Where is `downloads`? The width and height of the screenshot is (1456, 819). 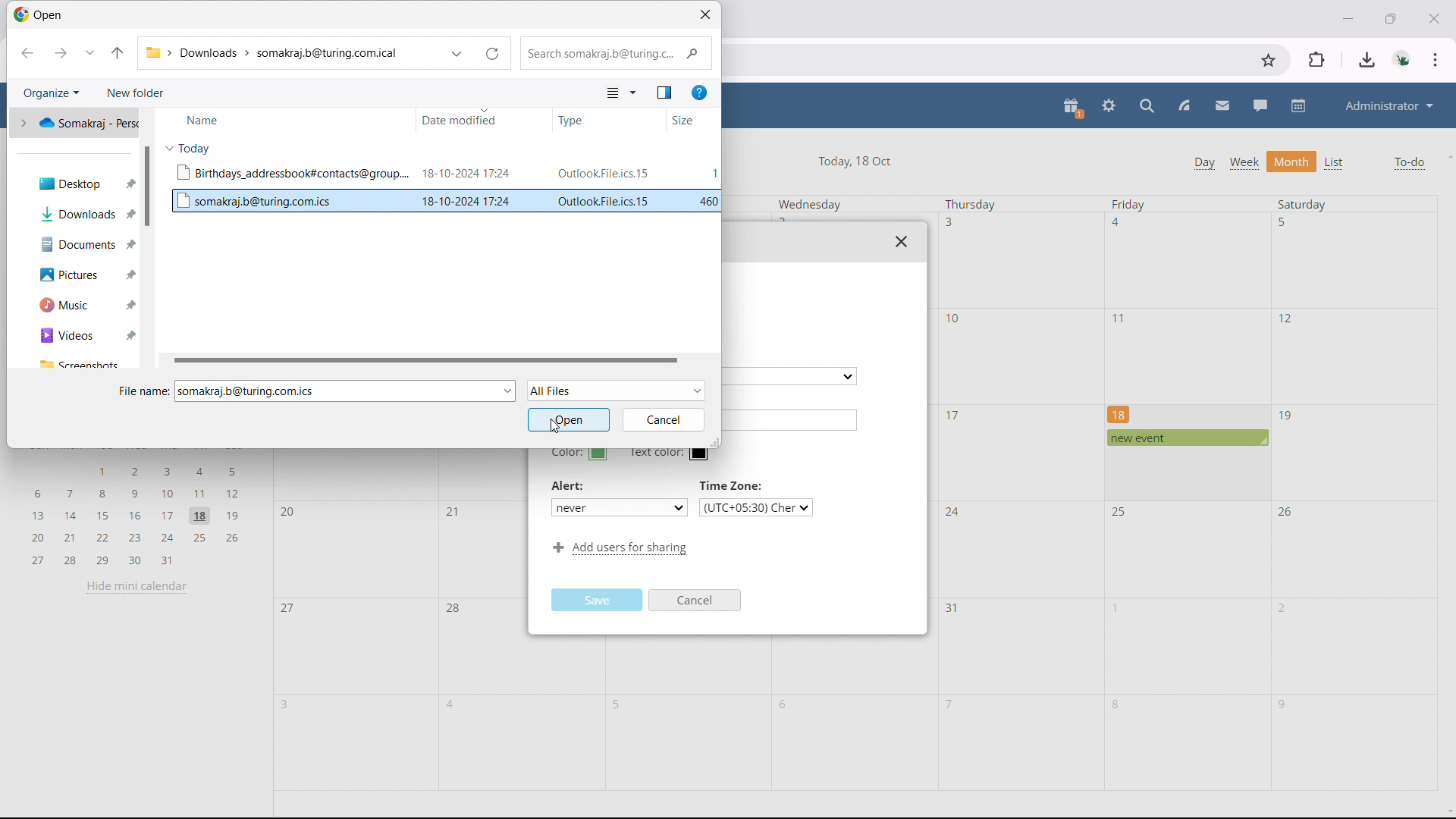 downloads is located at coordinates (1367, 60).